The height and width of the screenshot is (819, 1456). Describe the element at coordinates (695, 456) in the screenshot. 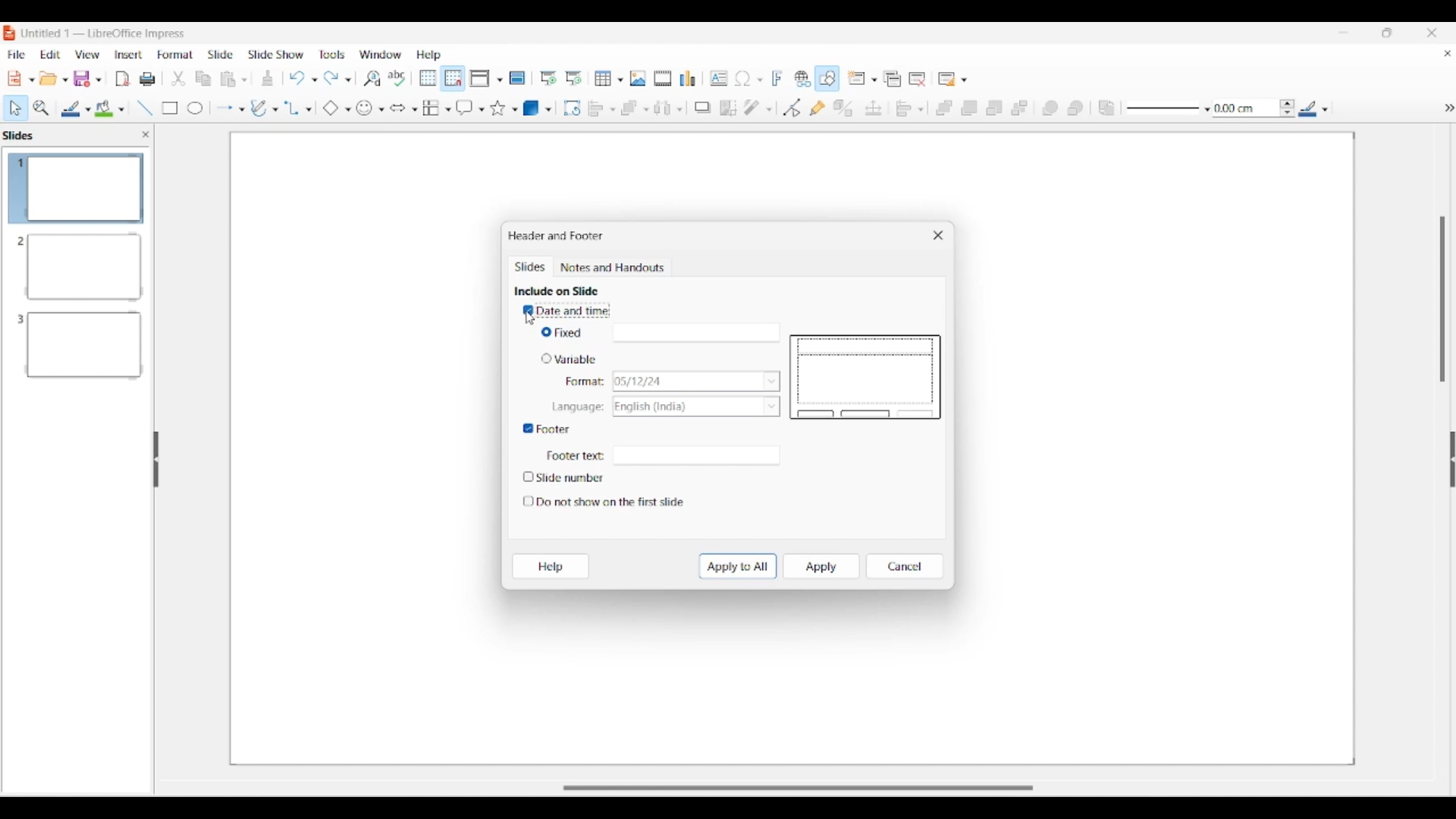

I see `Text space for footer text` at that location.